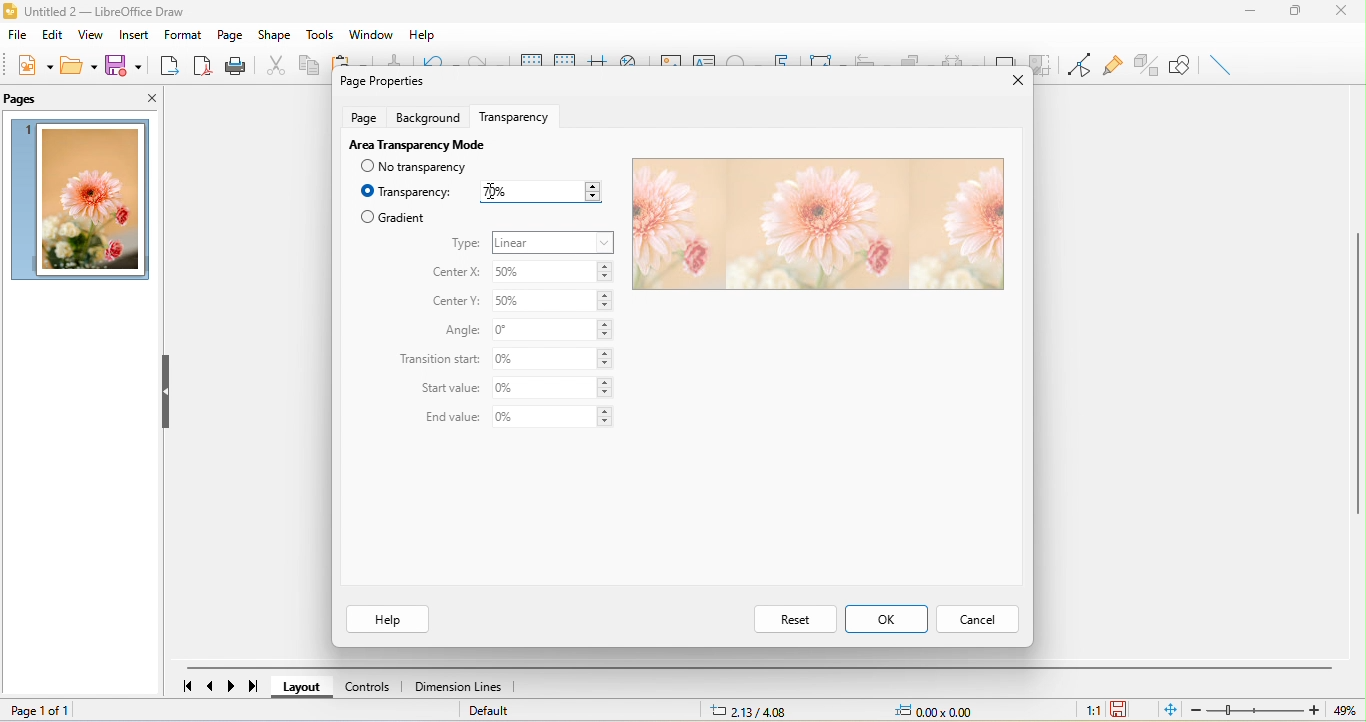  Describe the element at coordinates (494, 190) in the screenshot. I see `cursor movement` at that location.